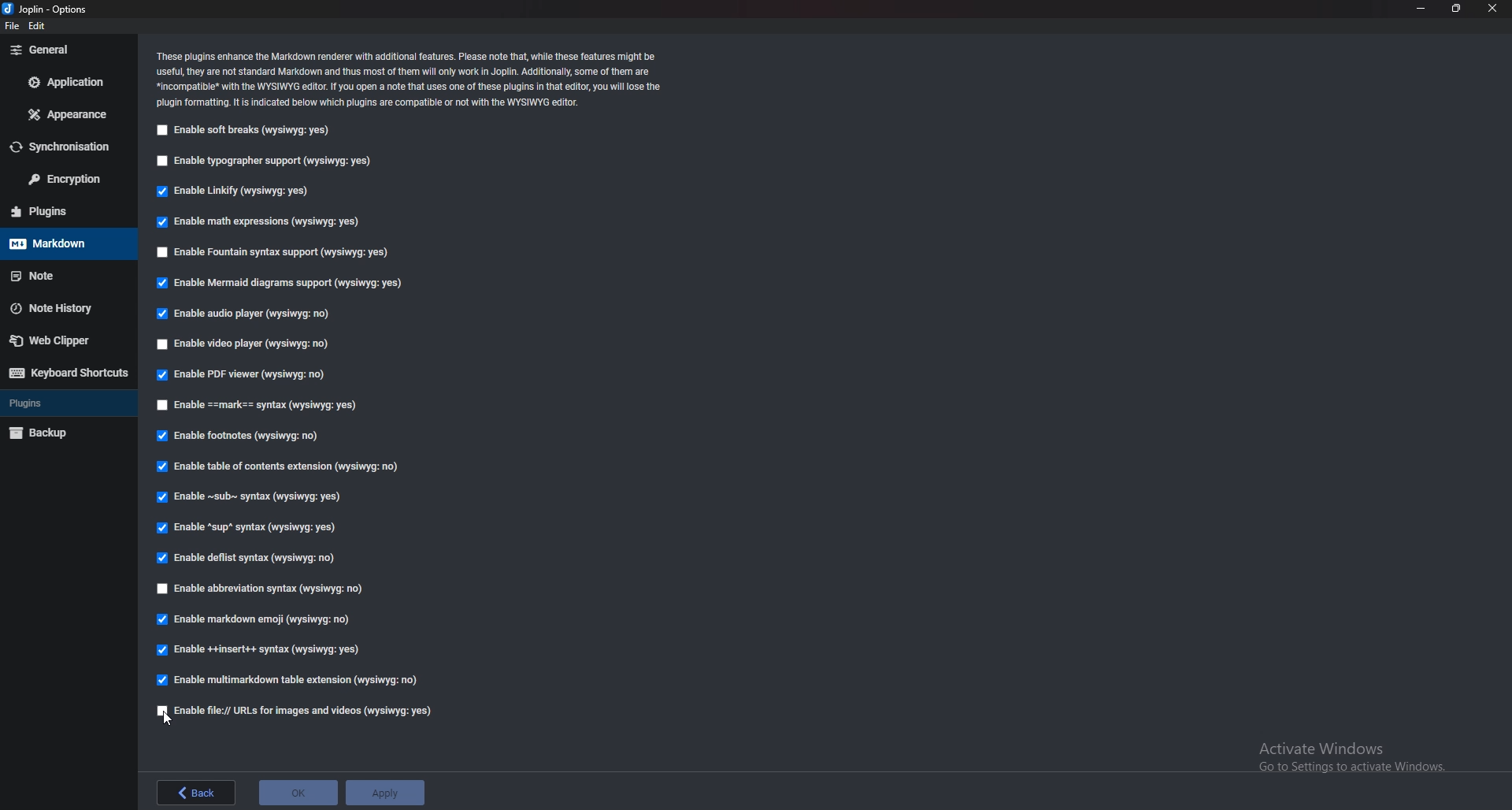 The width and height of the screenshot is (1512, 810). I want to click on close, so click(1493, 9).